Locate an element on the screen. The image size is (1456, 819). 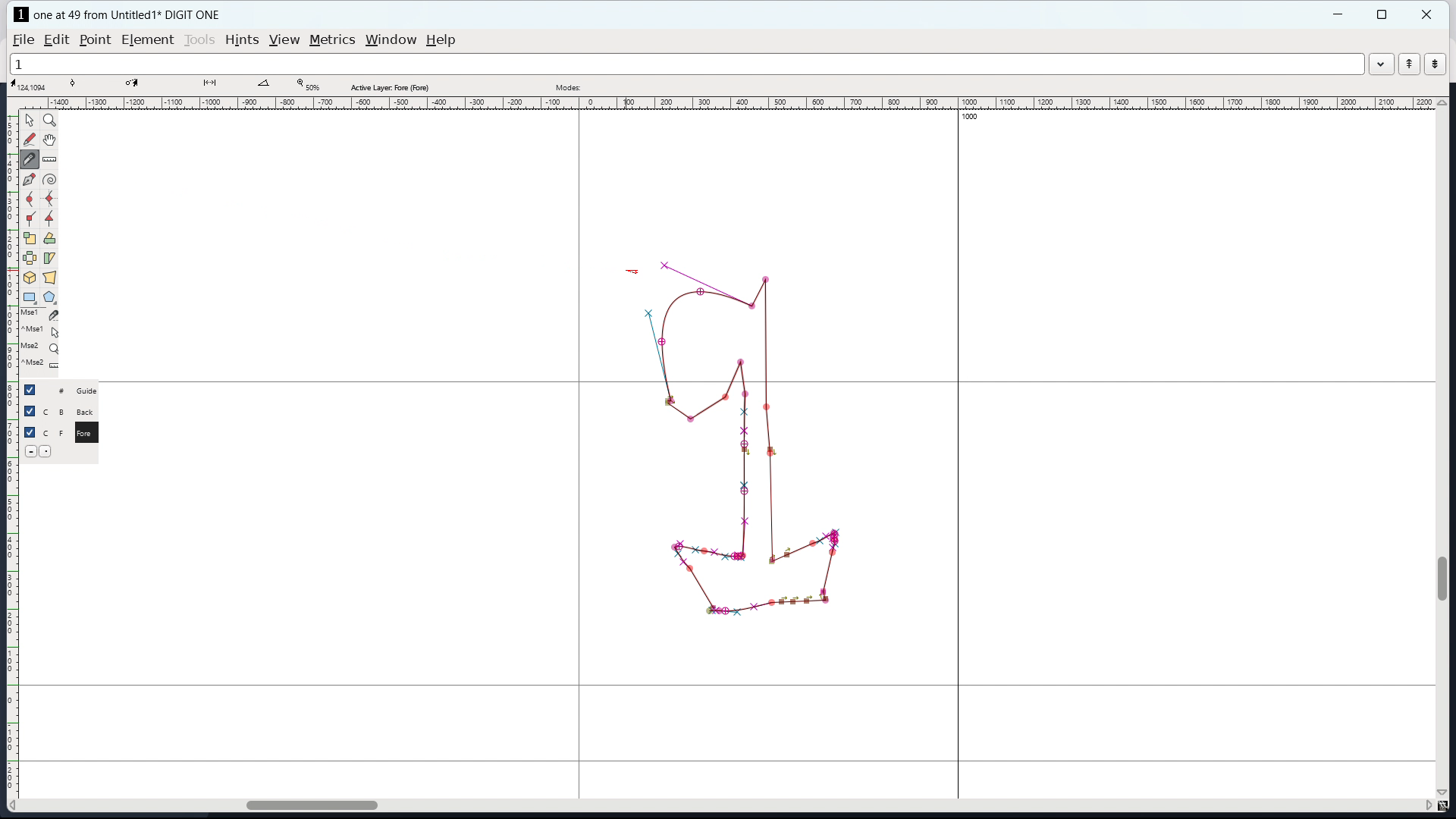
horizontal ruler is located at coordinates (736, 104).